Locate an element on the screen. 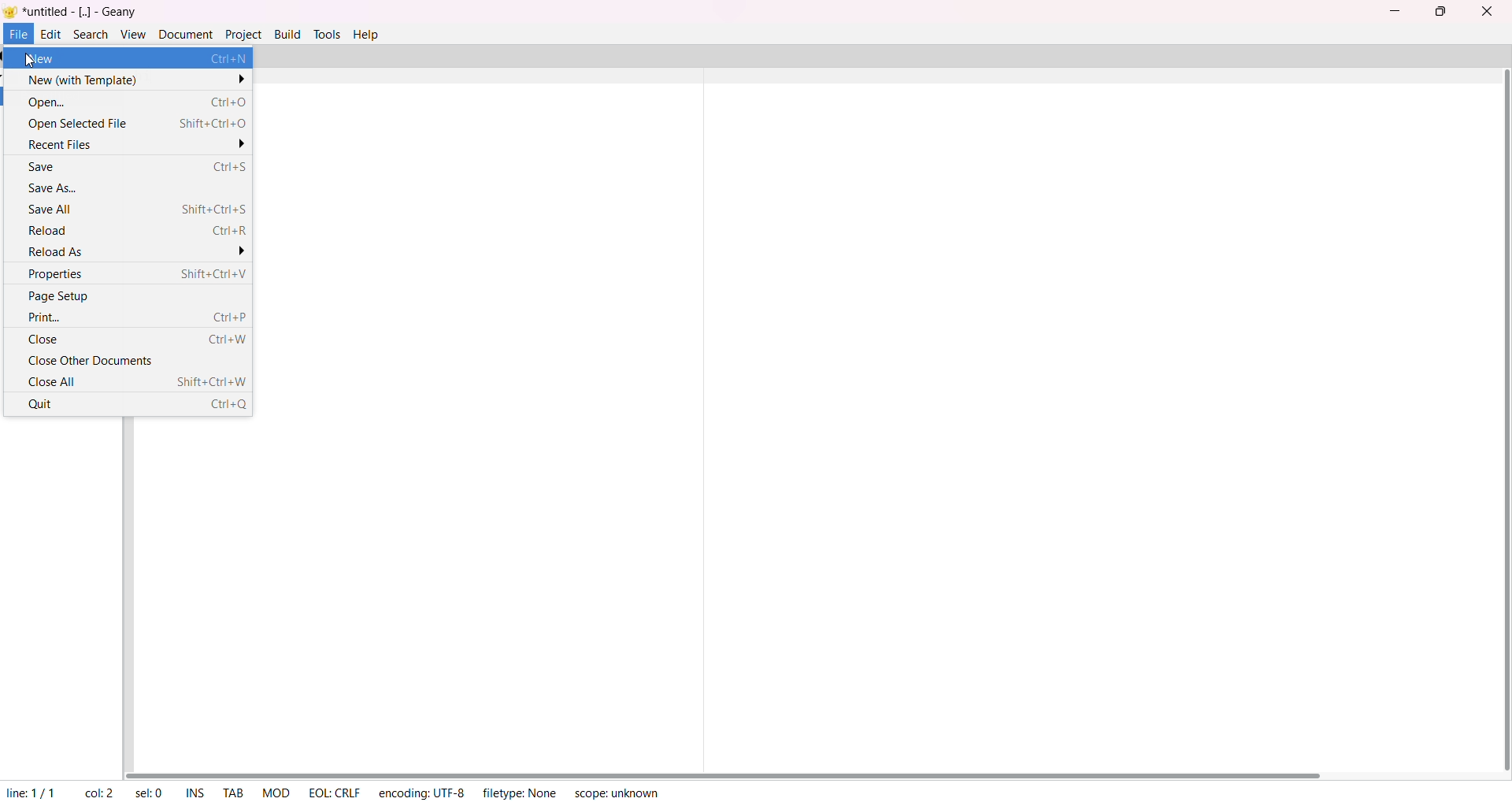 This screenshot has height=802, width=1512. project is located at coordinates (243, 34).